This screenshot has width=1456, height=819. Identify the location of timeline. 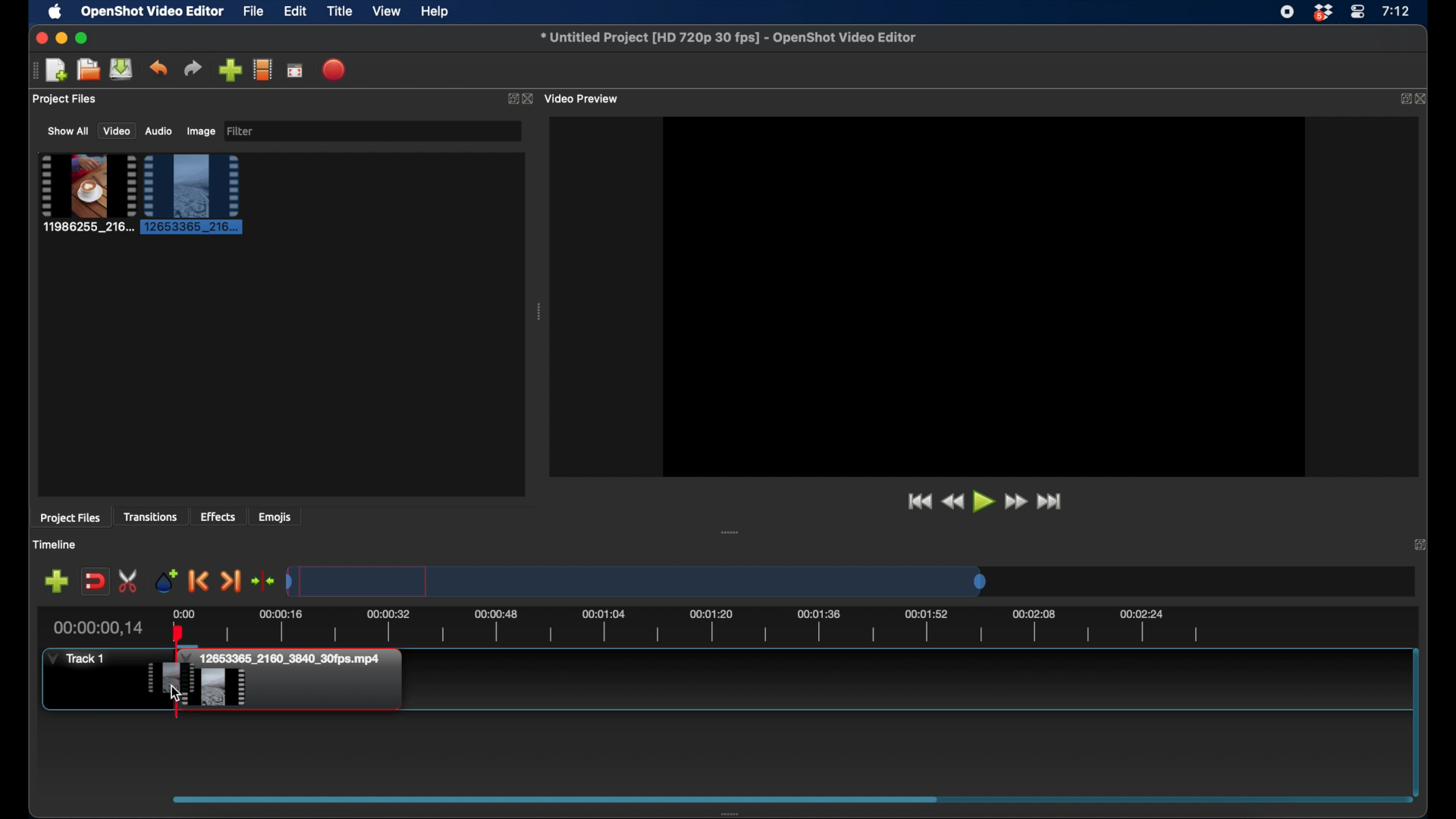
(707, 629).